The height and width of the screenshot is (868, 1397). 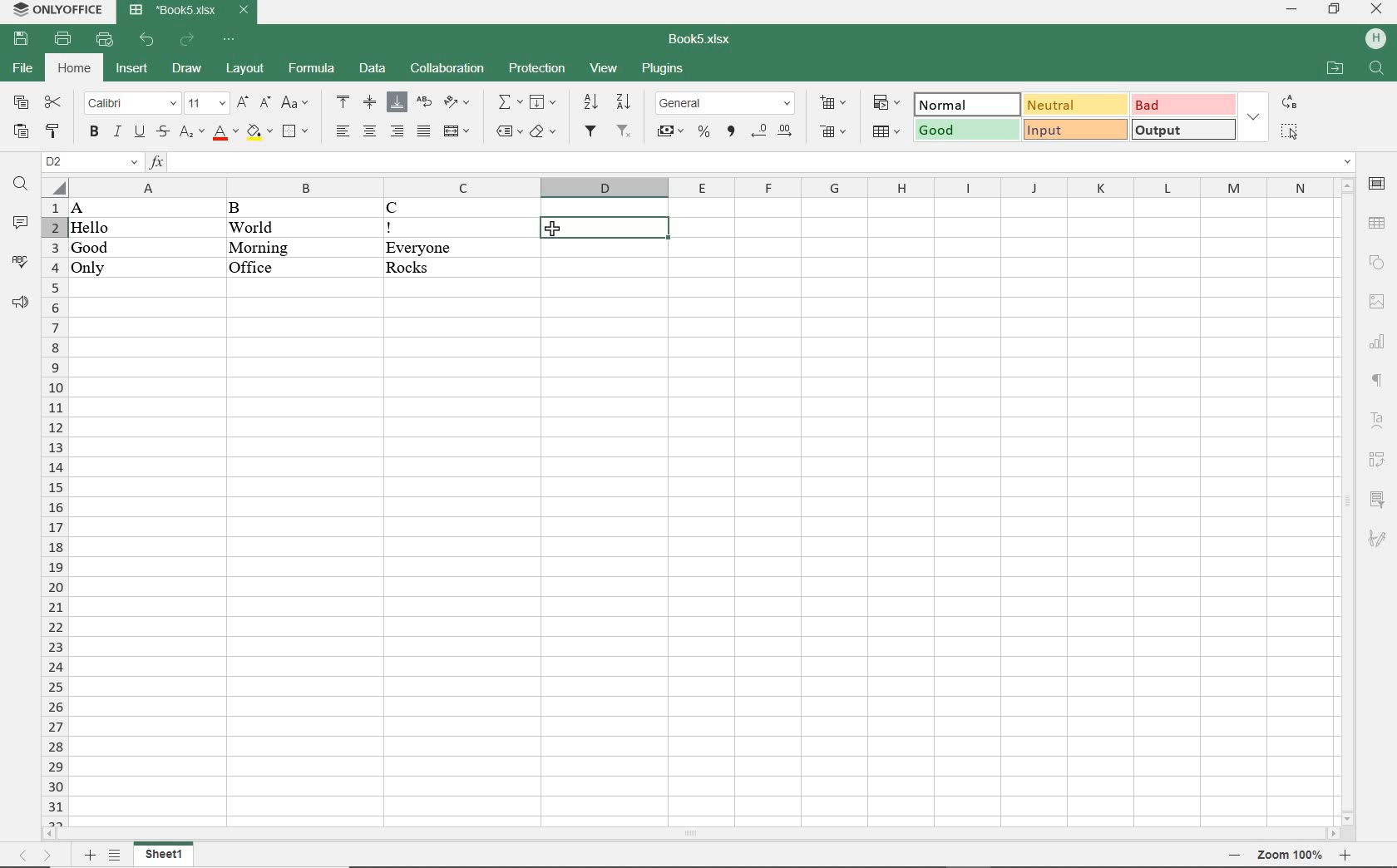 What do you see at coordinates (1379, 535) in the screenshot?
I see `signature` at bounding box center [1379, 535].